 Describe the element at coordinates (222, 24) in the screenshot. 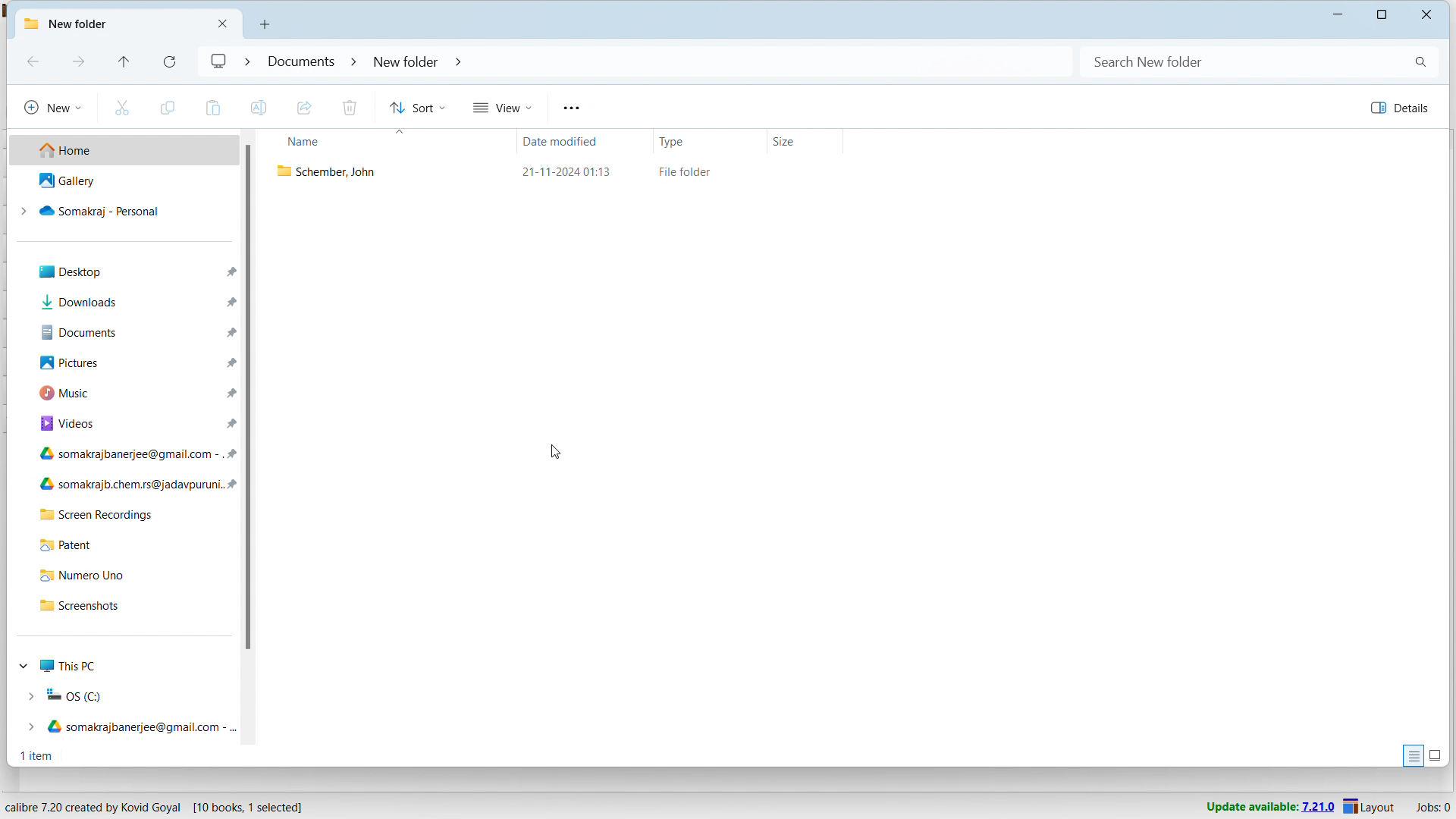

I see `close folder` at that location.